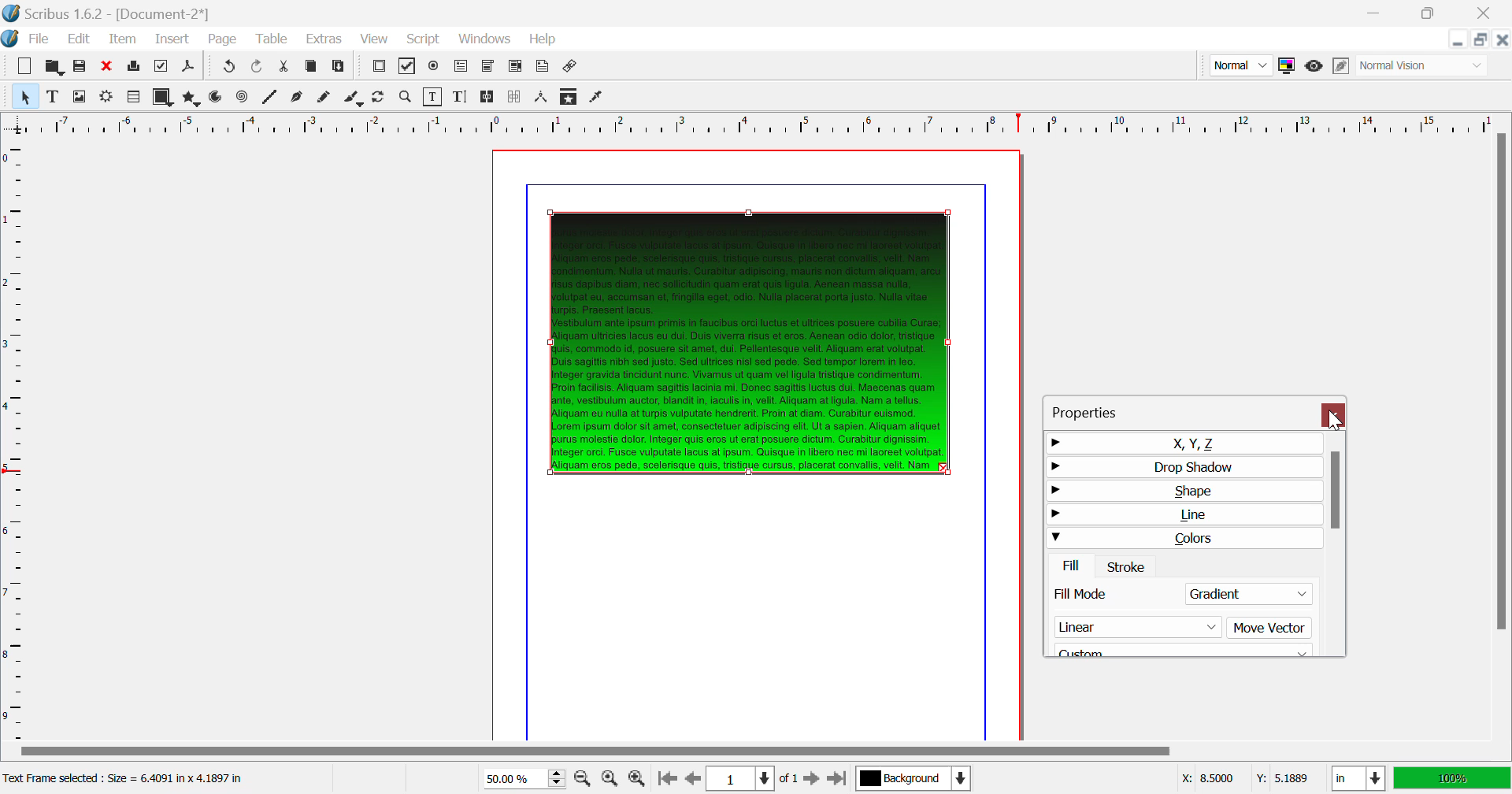 This screenshot has height=794, width=1512. What do you see at coordinates (518, 778) in the screenshot?
I see `Zoom 50%` at bounding box center [518, 778].